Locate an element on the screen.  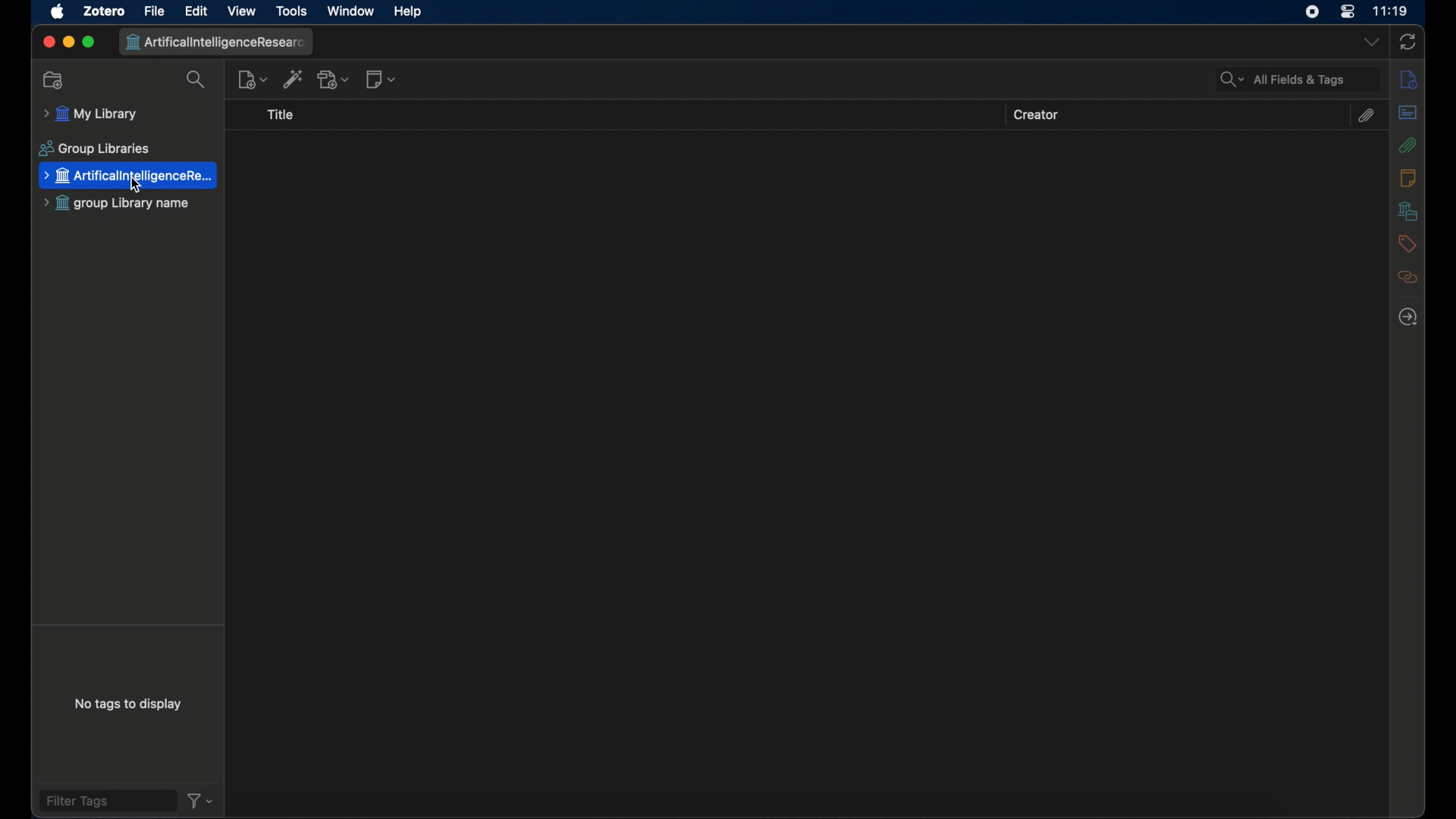
search is located at coordinates (196, 80).